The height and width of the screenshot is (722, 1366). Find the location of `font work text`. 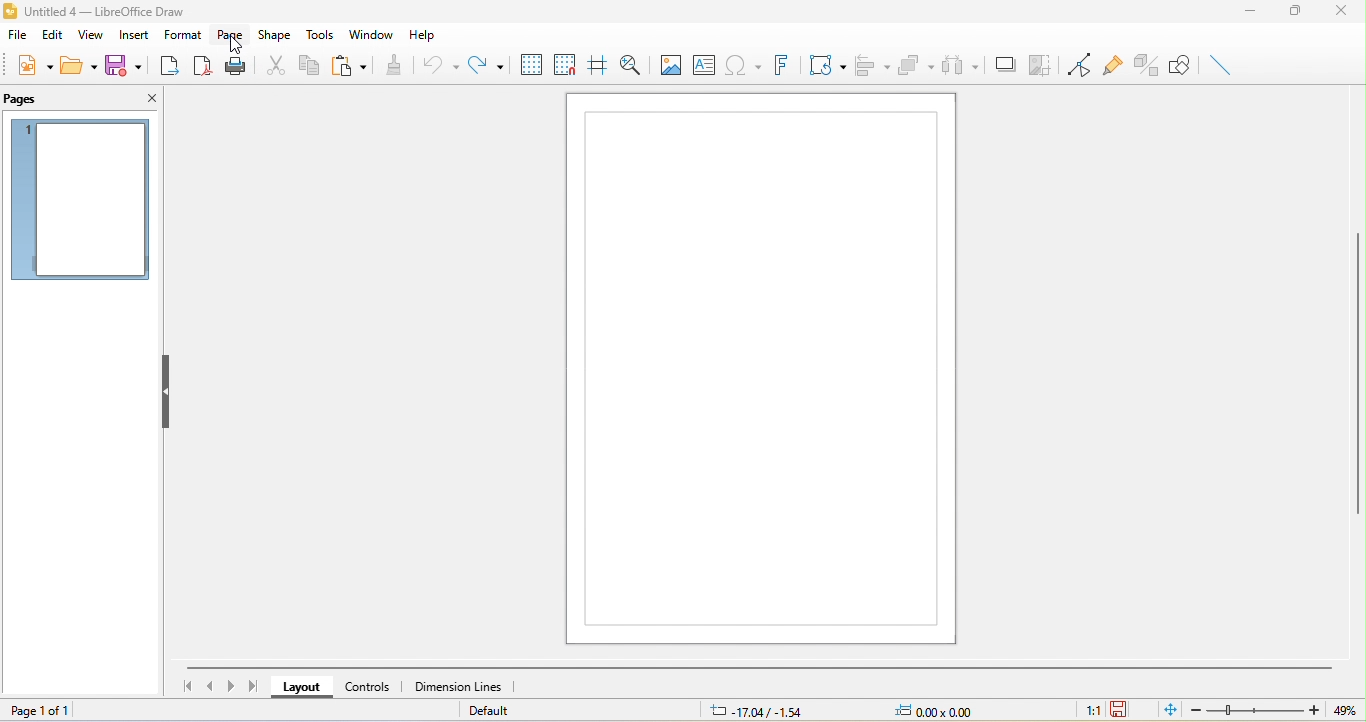

font work text is located at coordinates (784, 68).